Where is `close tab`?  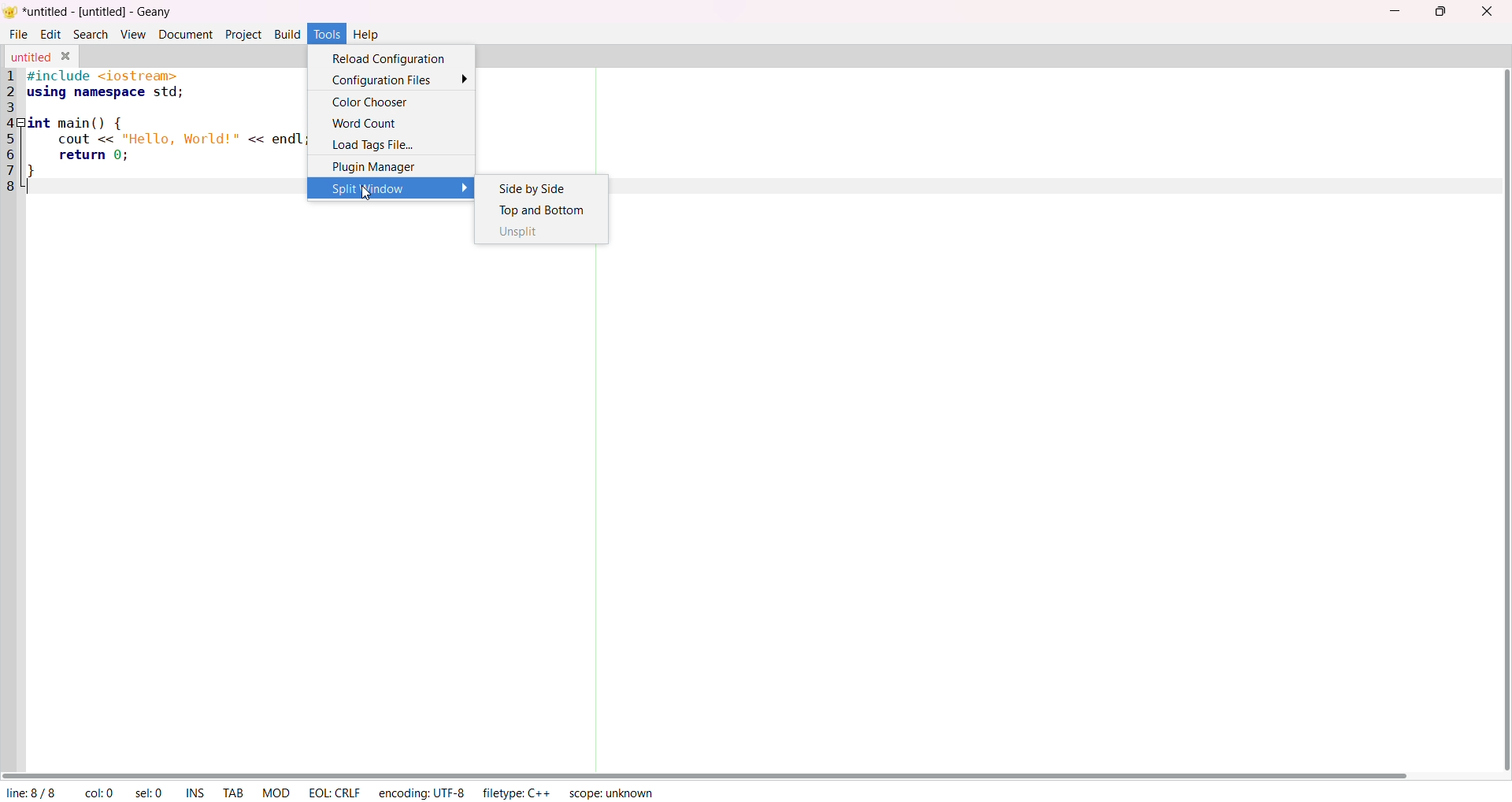
close tab is located at coordinates (67, 57).